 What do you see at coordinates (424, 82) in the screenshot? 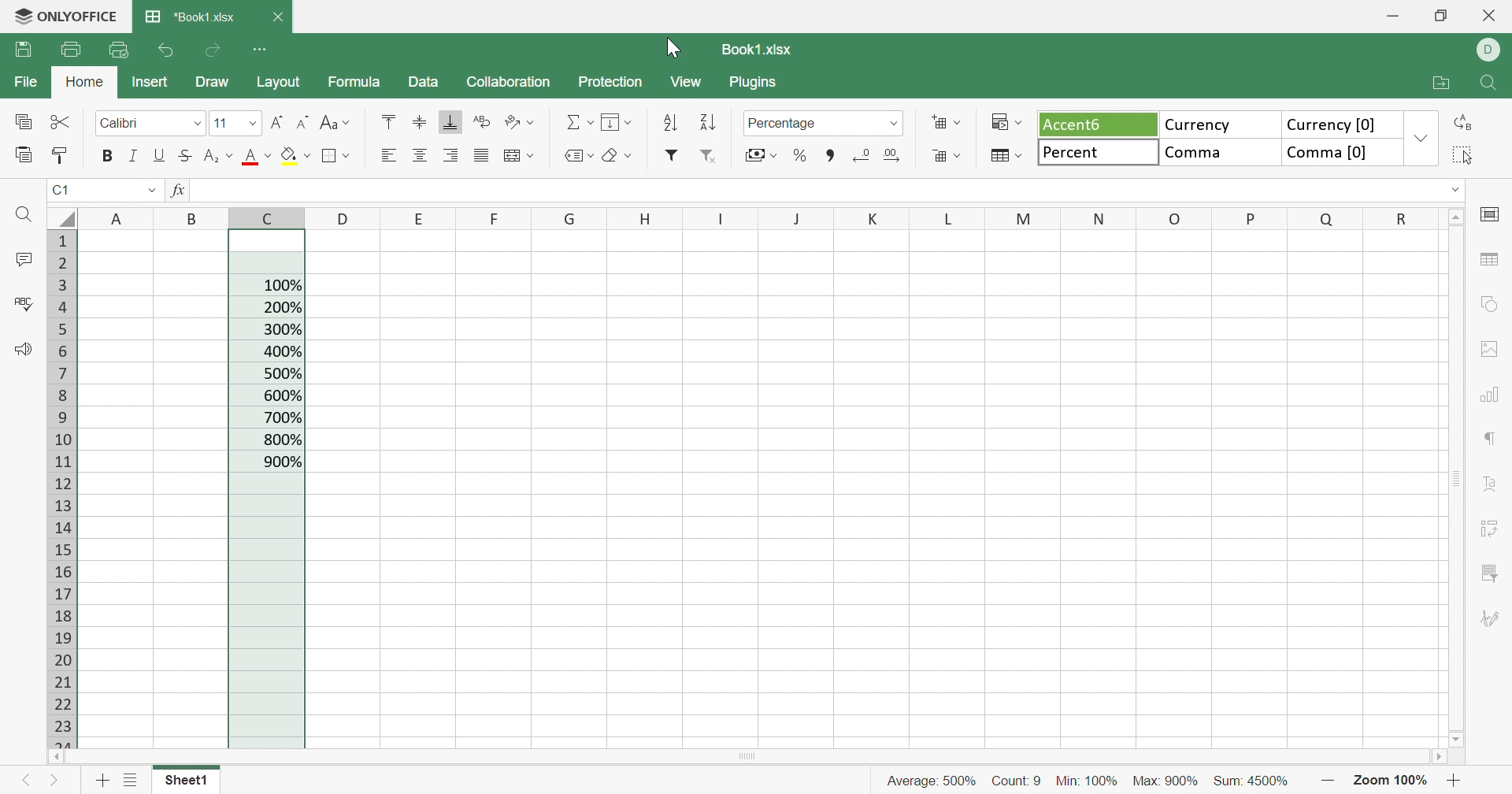
I see `Data` at bounding box center [424, 82].